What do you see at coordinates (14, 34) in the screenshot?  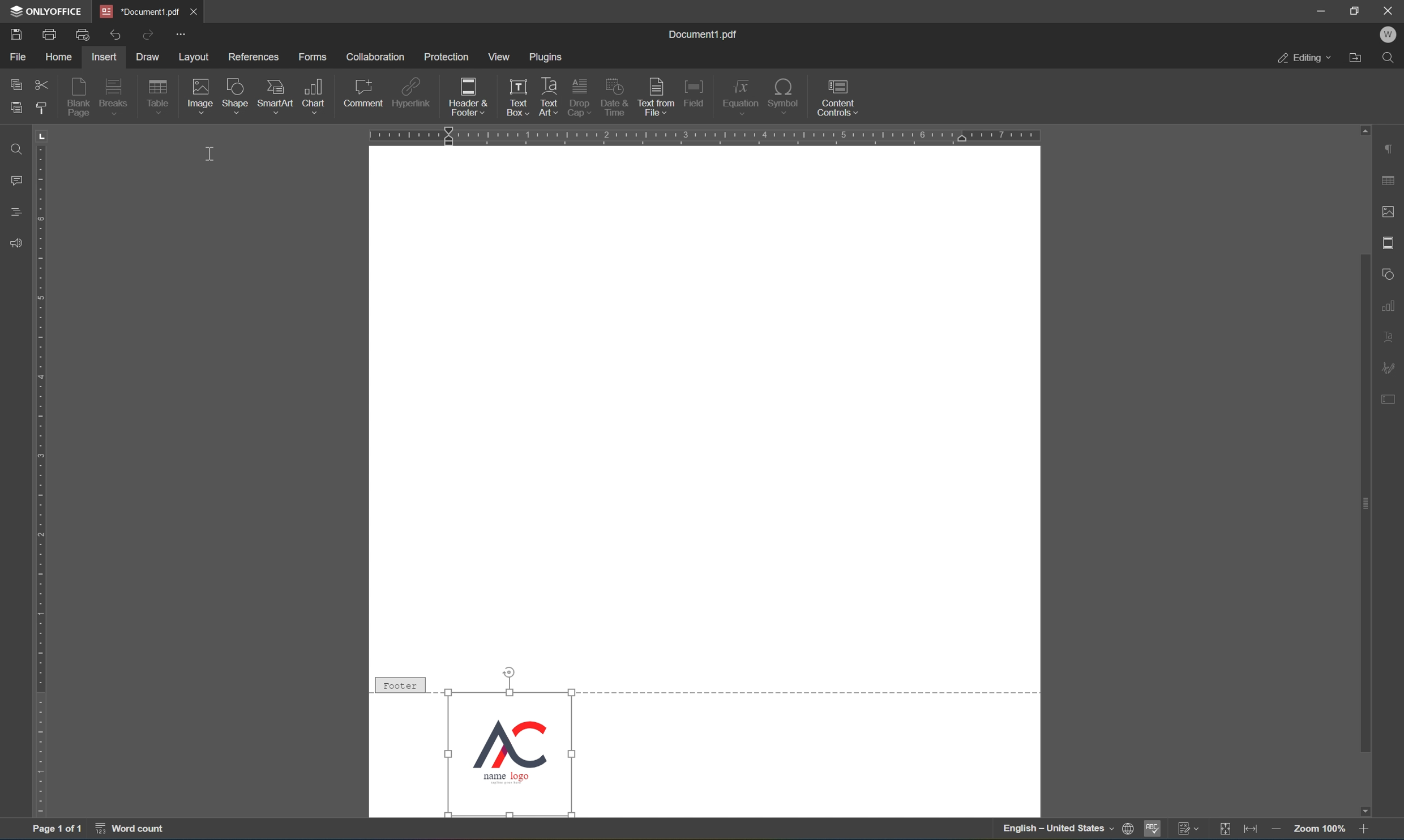 I see `save` at bounding box center [14, 34].